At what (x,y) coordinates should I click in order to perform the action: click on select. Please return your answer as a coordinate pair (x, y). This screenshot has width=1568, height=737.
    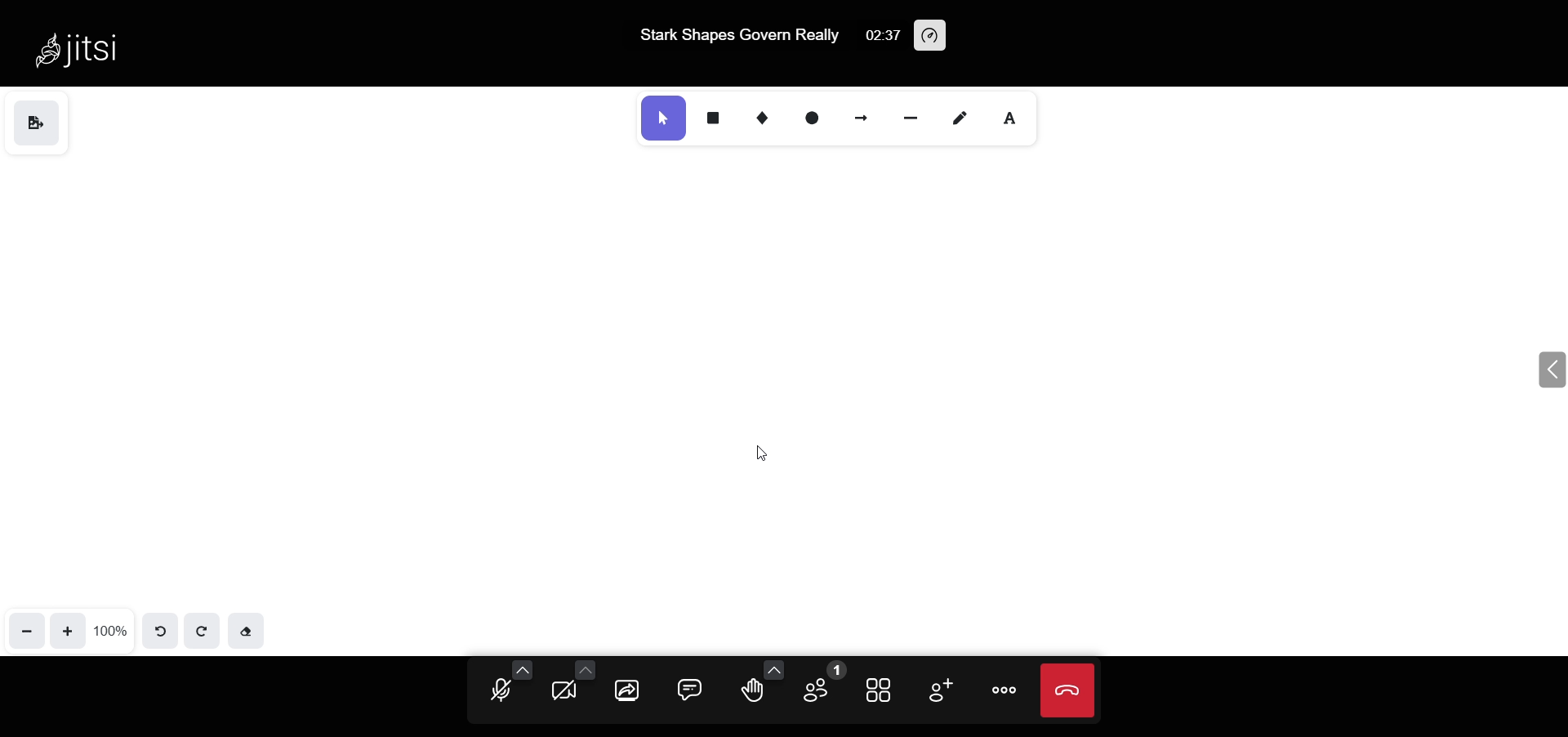
    Looking at the image, I should click on (663, 118).